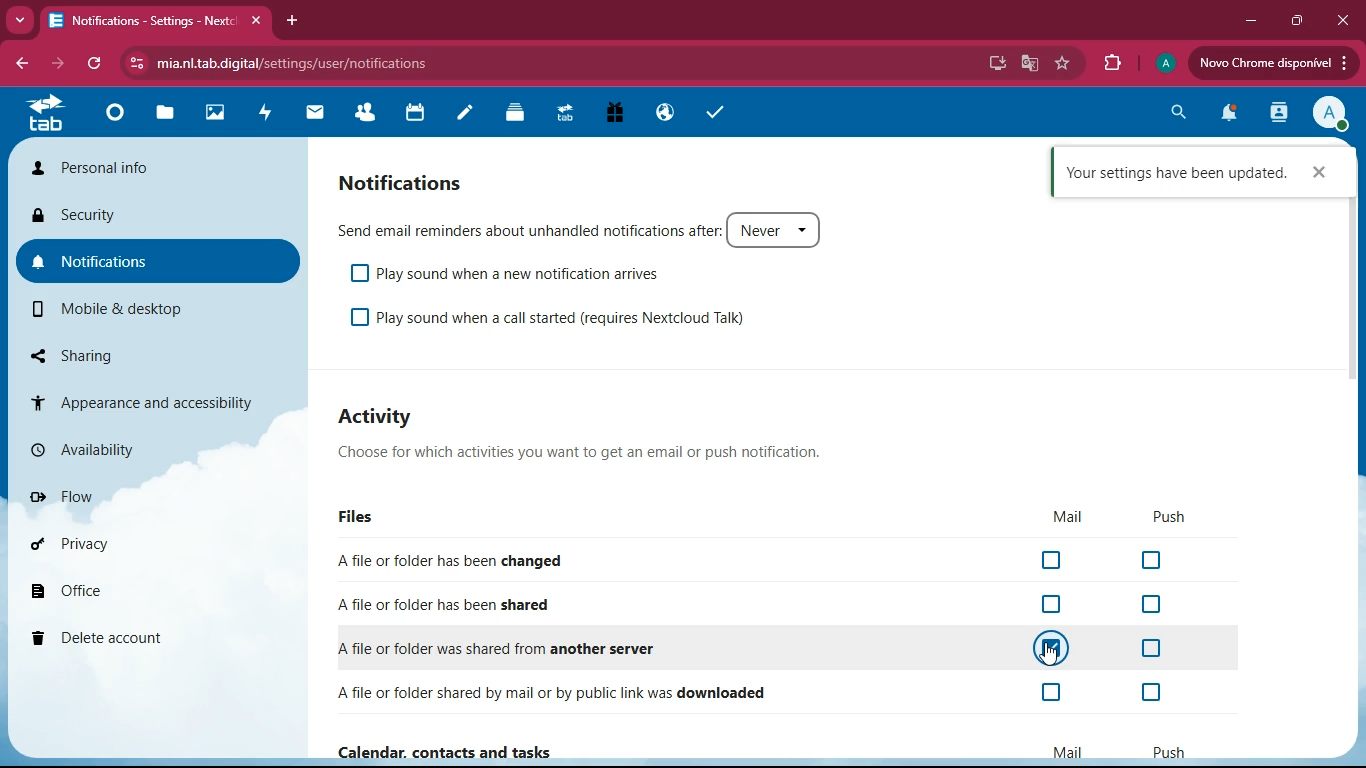 The height and width of the screenshot is (768, 1366). I want to click on close, so click(1319, 173).